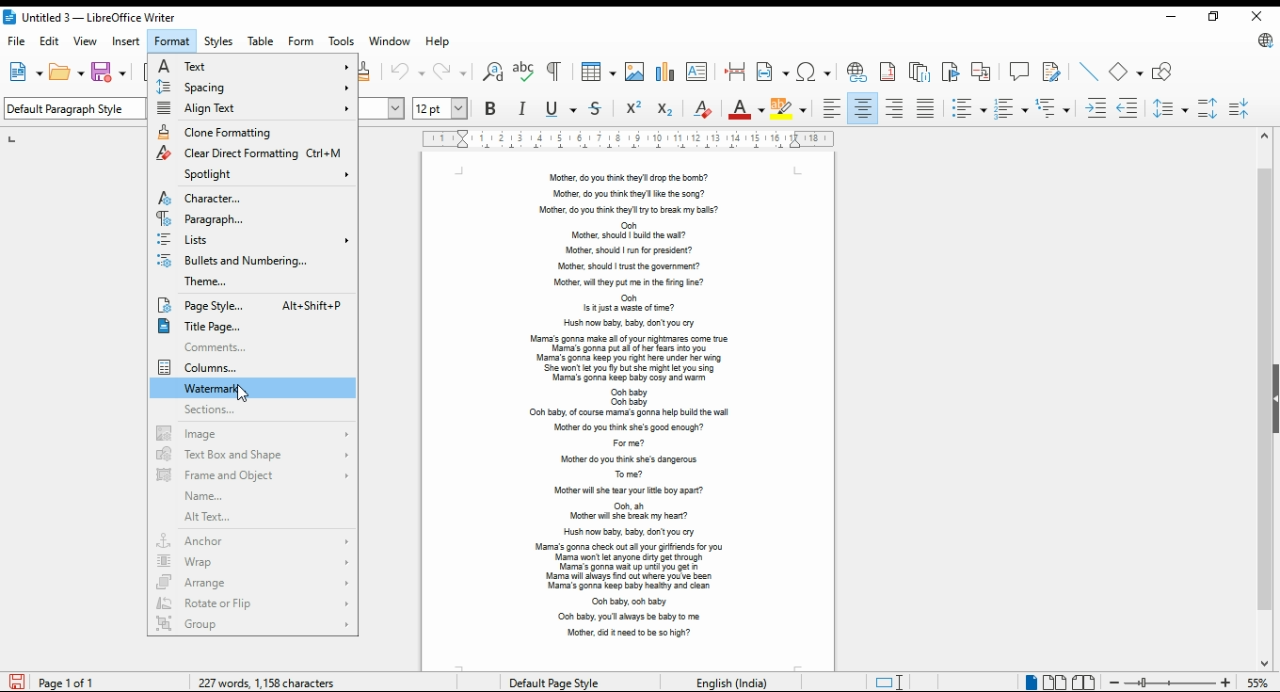  I want to click on text, so click(627, 401).